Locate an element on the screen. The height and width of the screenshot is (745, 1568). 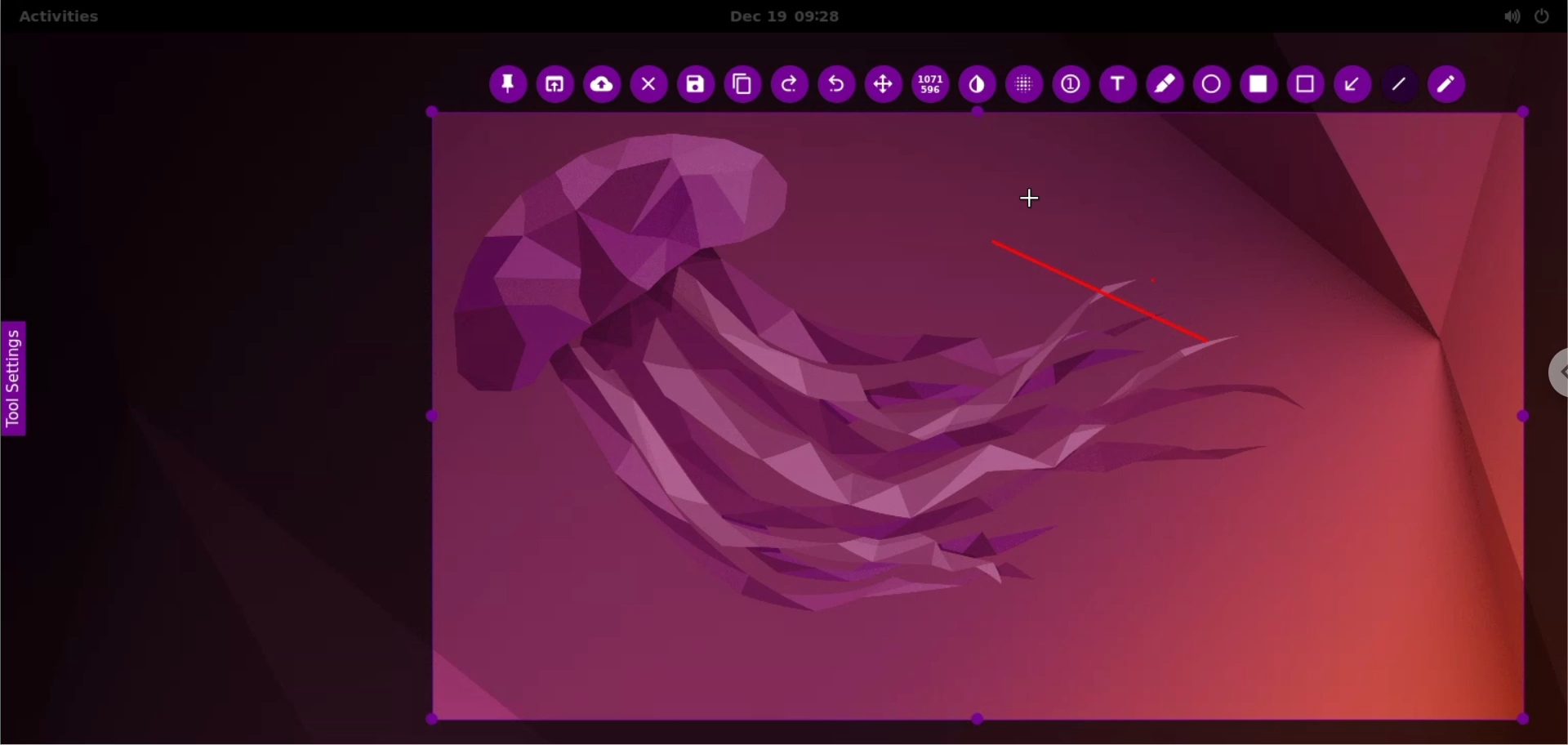
undo is located at coordinates (840, 84).